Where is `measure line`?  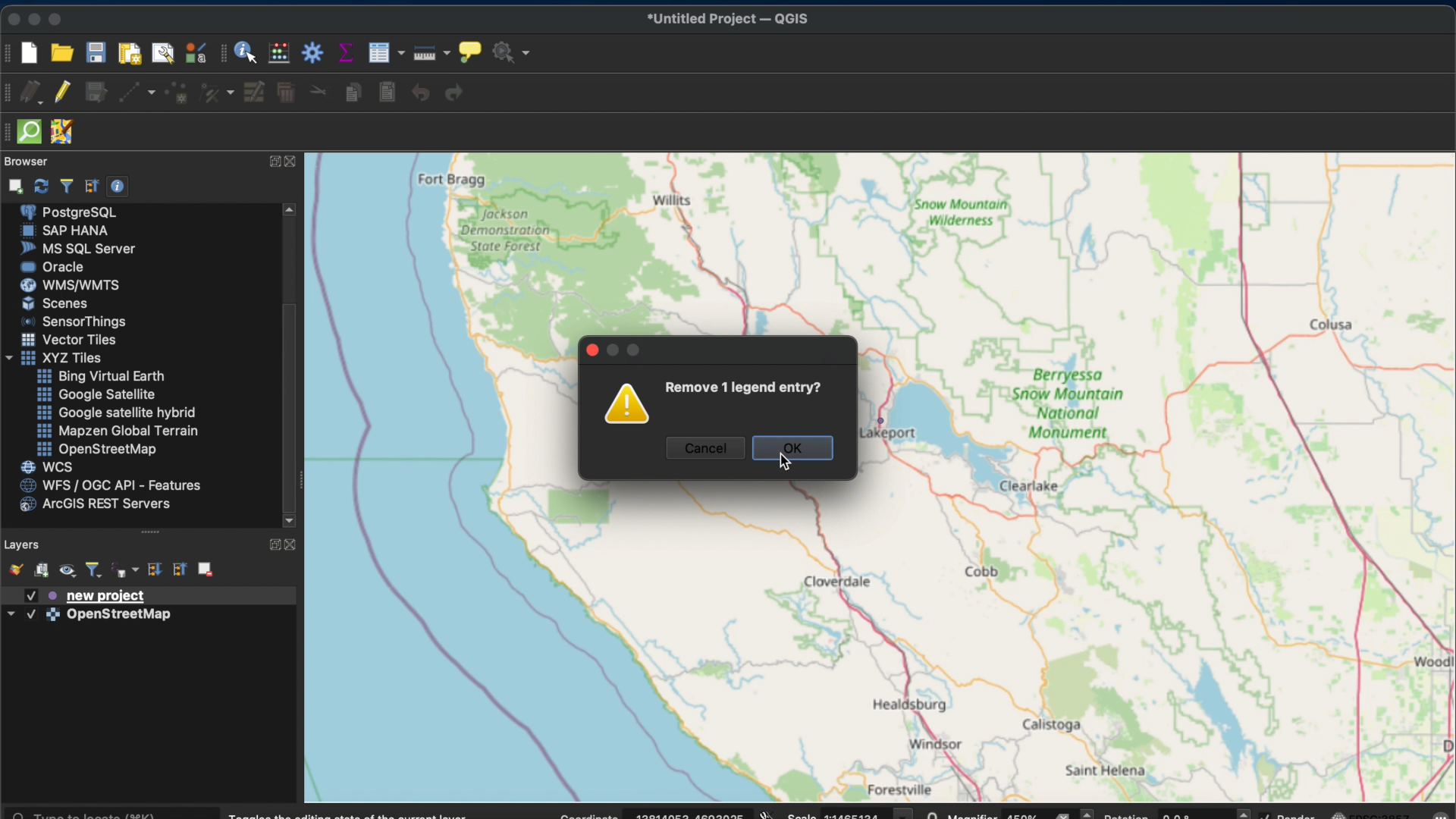
measure line is located at coordinates (428, 53).